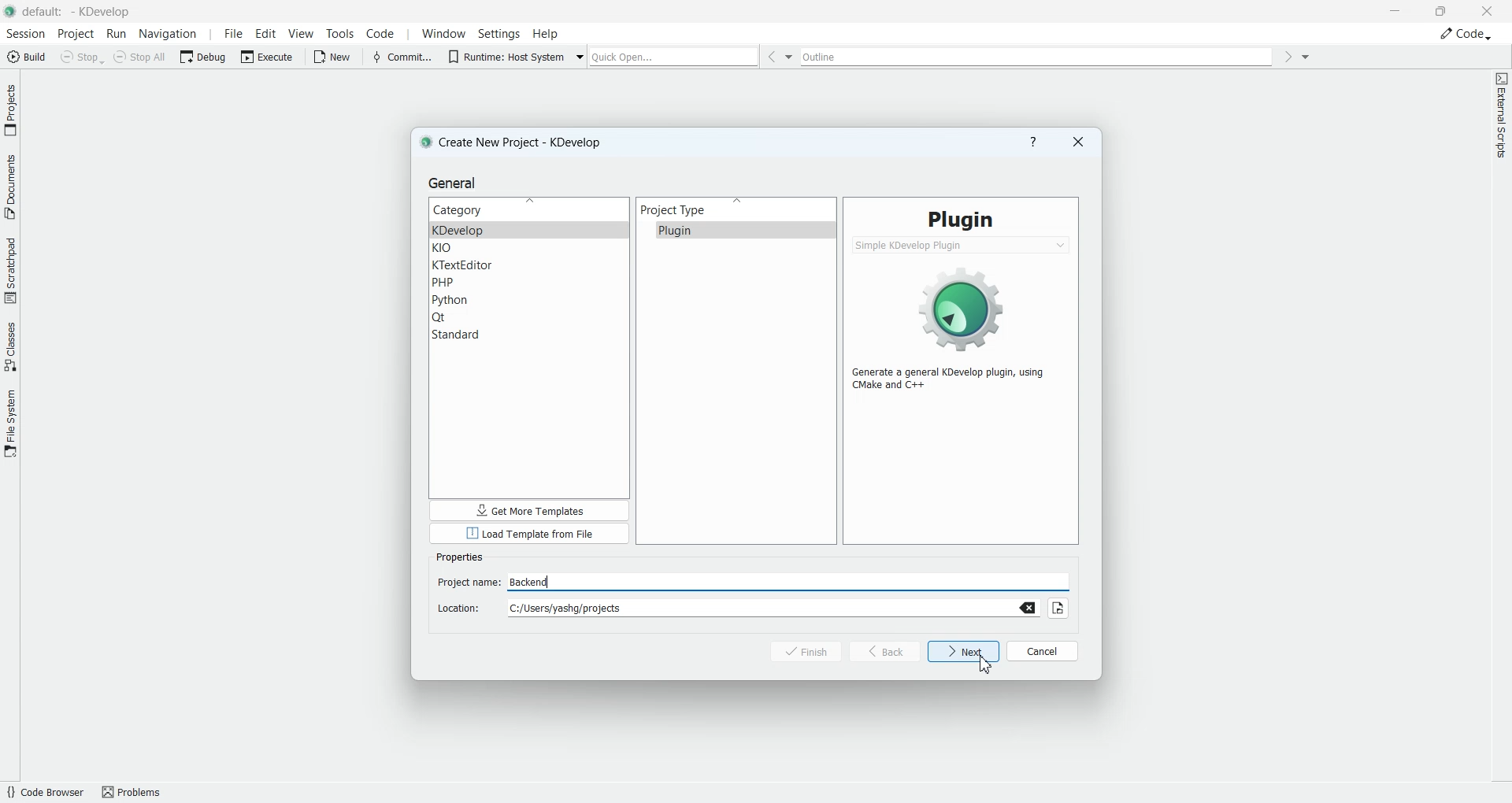  What do you see at coordinates (381, 33) in the screenshot?
I see `Code` at bounding box center [381, 33].